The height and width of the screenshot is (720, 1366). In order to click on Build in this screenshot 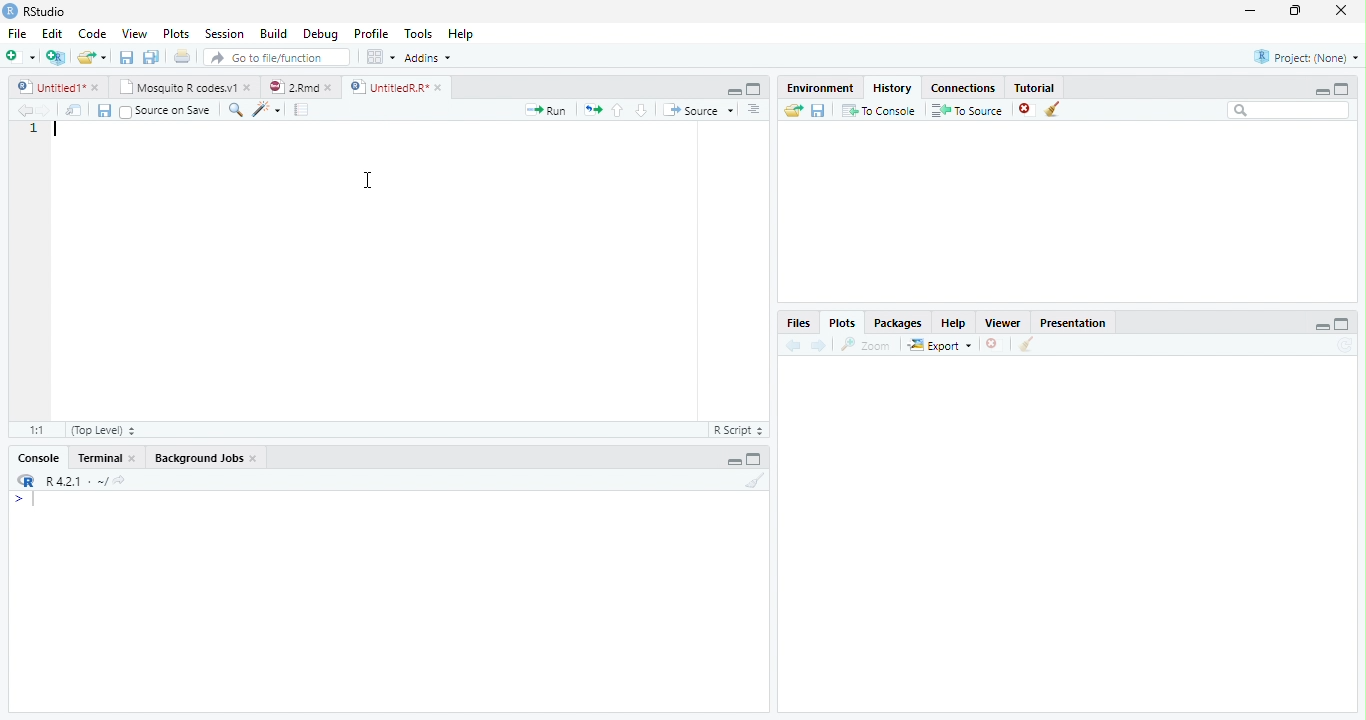, I will do `click(273, 33)`.